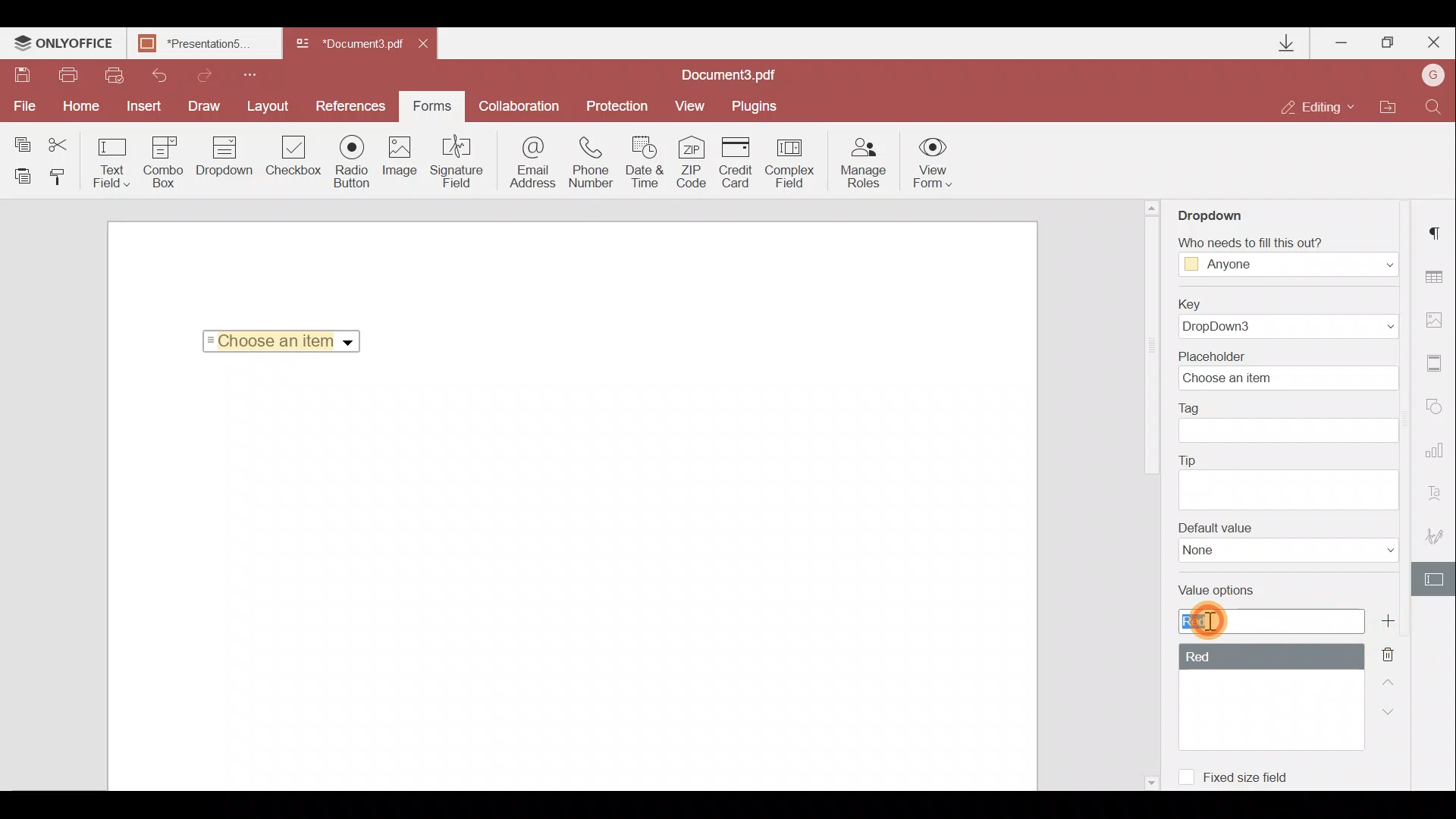  What do you see at coordinates (1339, 42) in the screenshot?
I see `Minimize` at bounding box center [1339, 42].